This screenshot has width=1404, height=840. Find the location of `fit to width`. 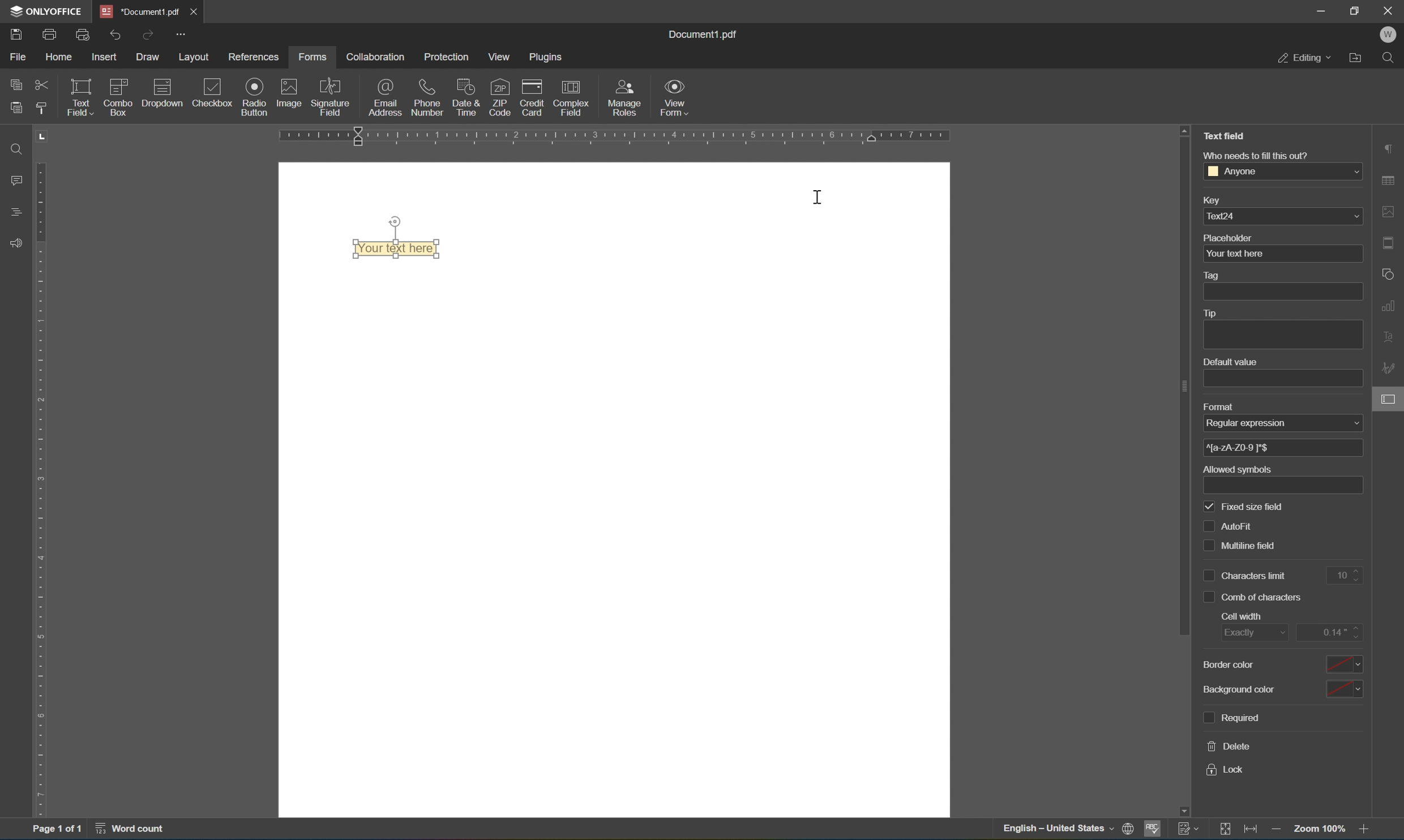

fit to width is located at coordinates (1252, 831).